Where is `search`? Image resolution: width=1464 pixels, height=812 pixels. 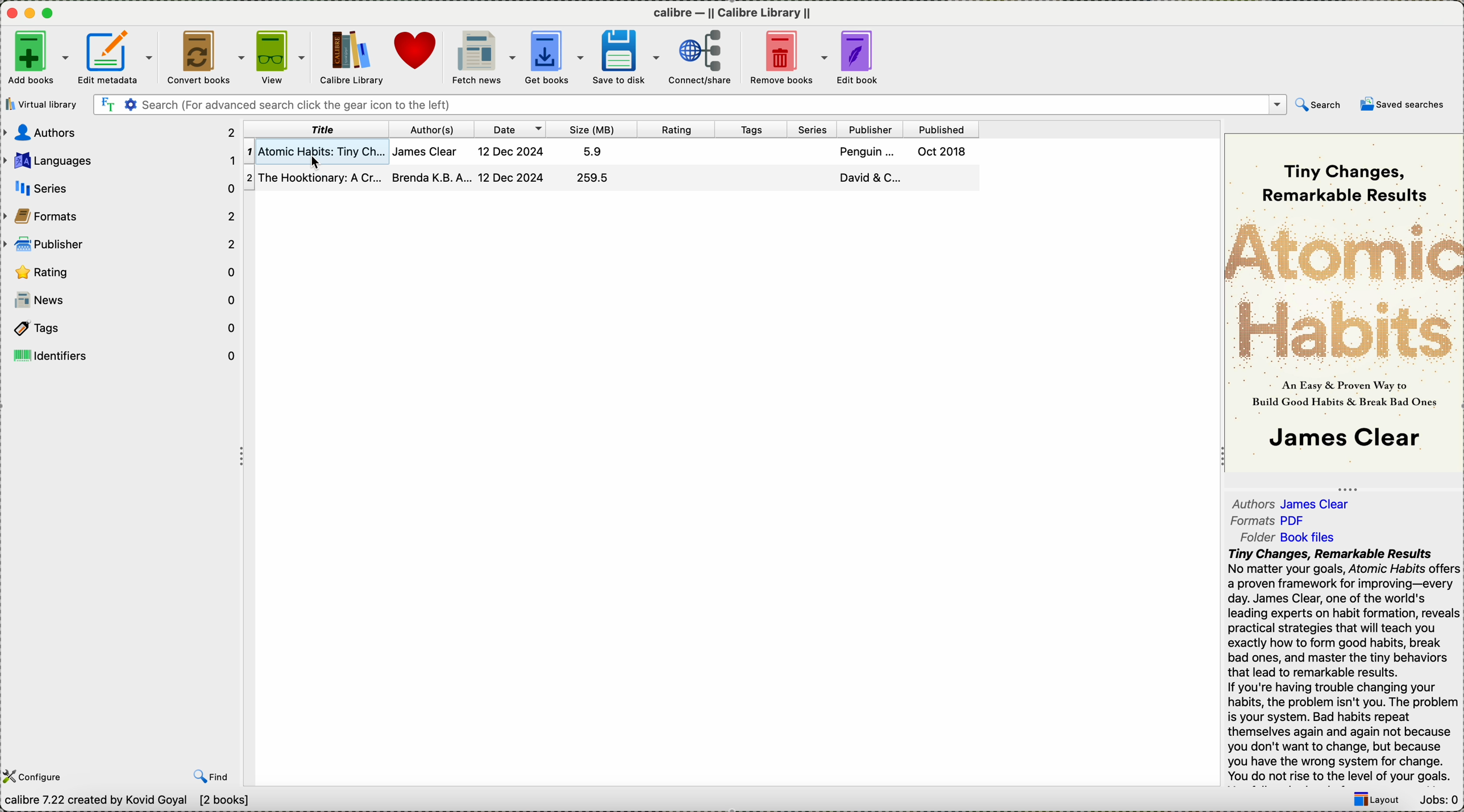
search is located at coordinates (1317, 104).